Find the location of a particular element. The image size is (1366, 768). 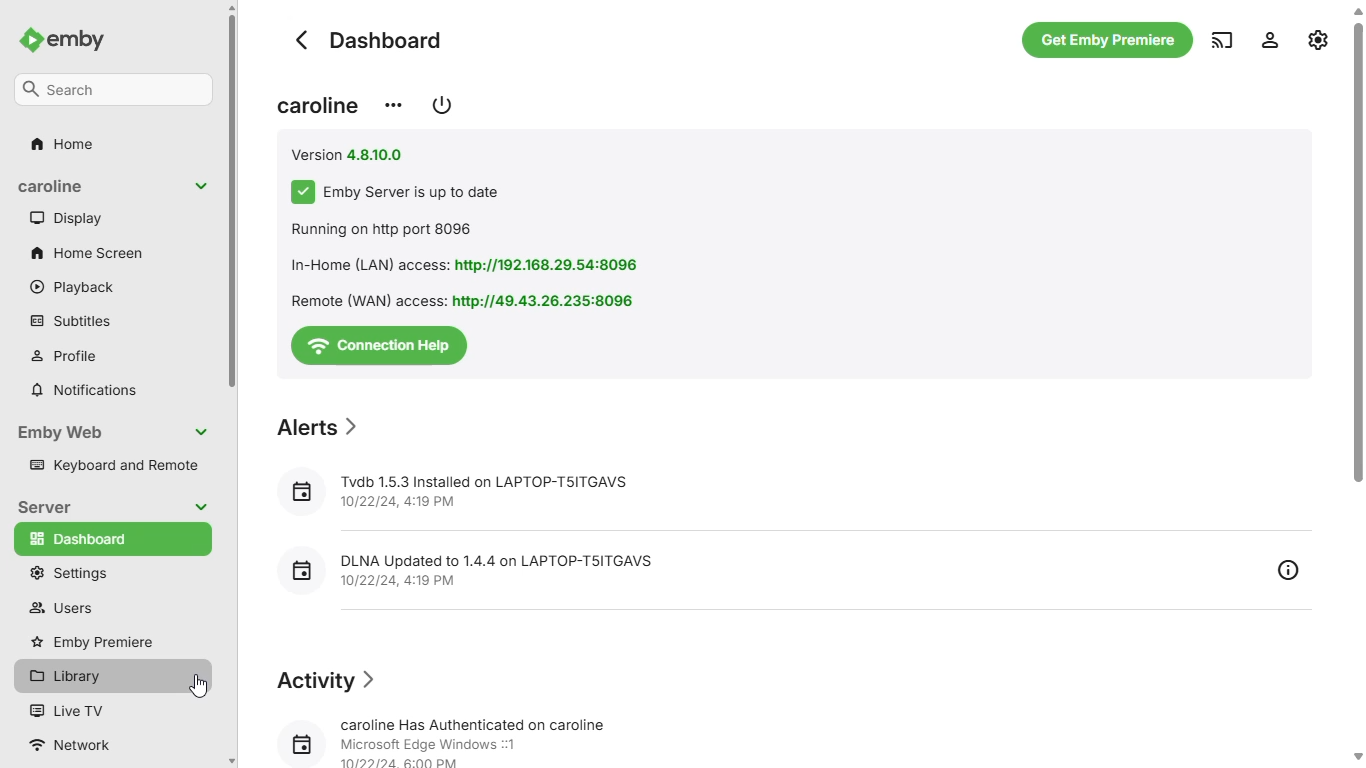

Remote (WAN) access: is located at coordinates (364, 301).